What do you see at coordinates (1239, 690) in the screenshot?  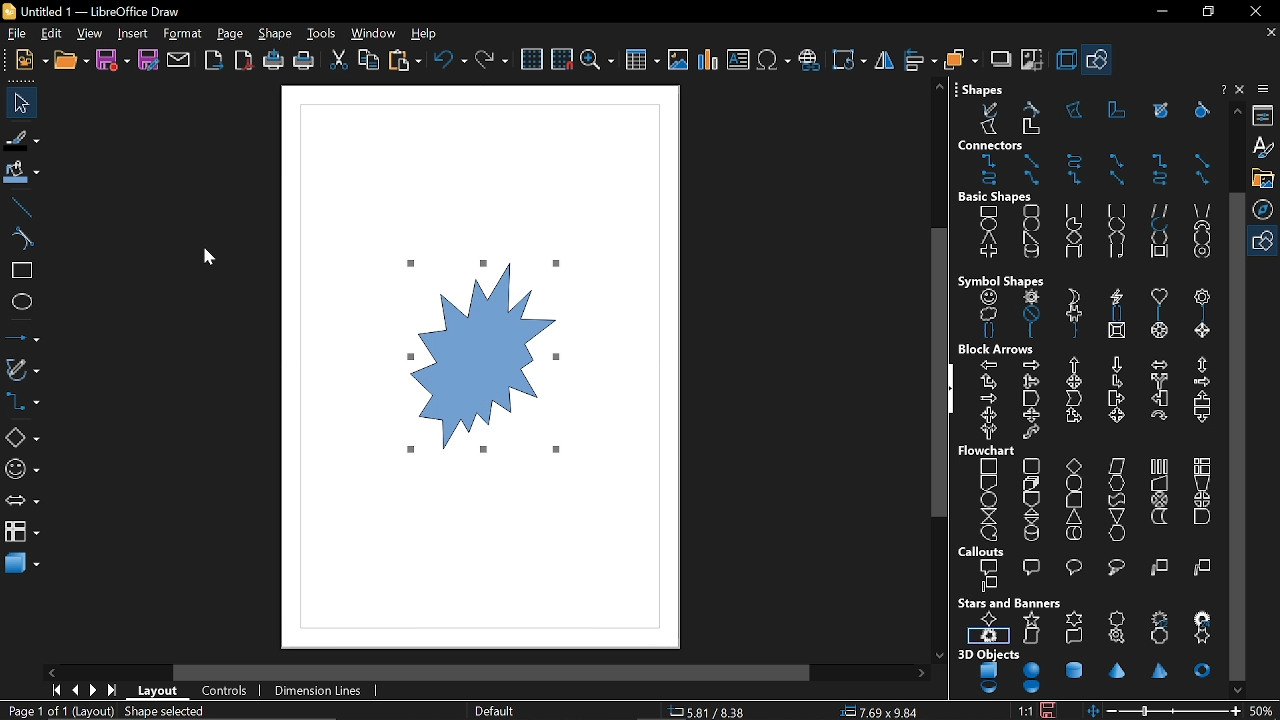 I see `Move down` at bounding box center [1239, 690].